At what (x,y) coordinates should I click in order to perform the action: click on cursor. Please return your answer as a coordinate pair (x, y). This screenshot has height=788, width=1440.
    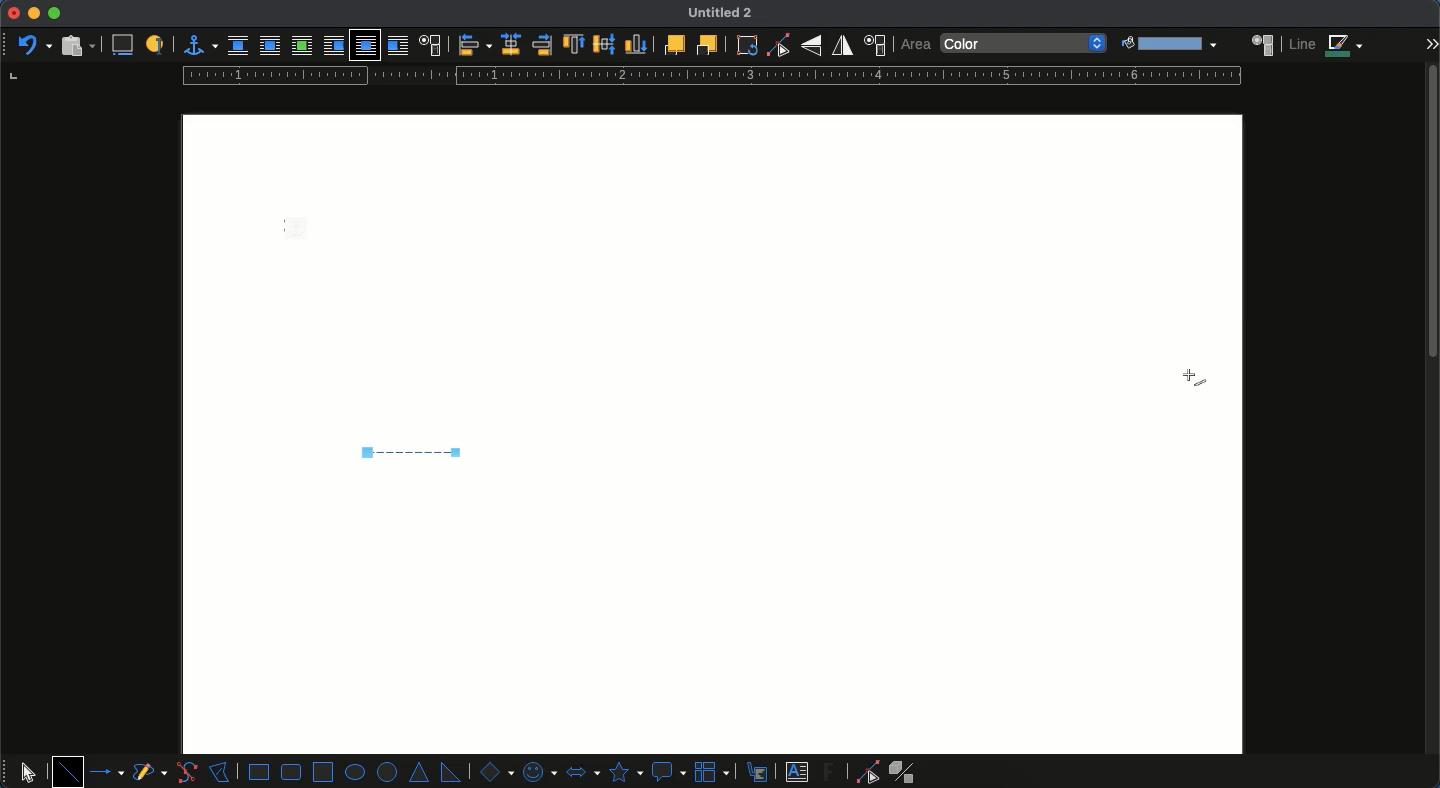
    Looking at the image, I should click on (1194, 380).